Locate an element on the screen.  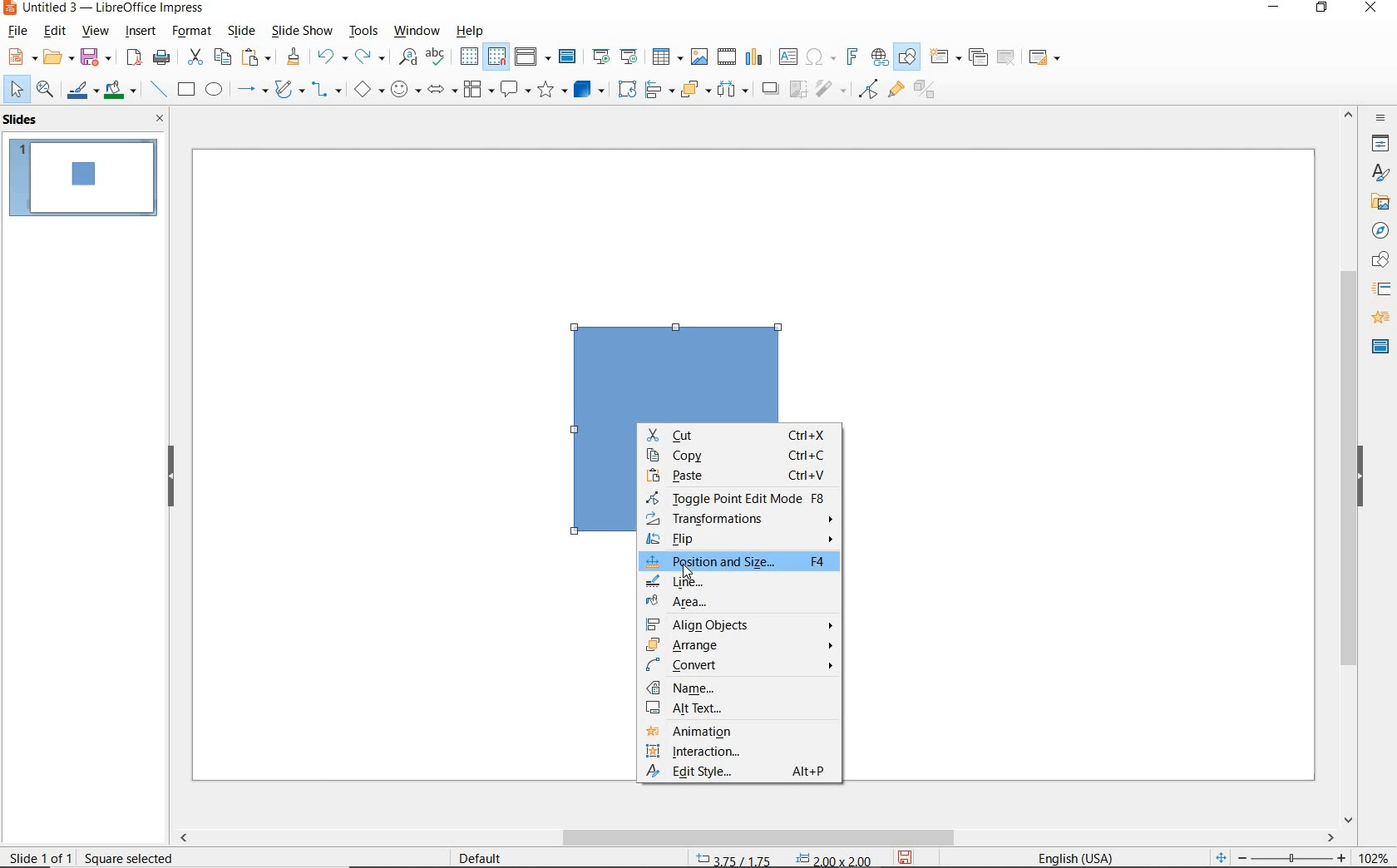
symbol shapes is located at coordinates (405, 91).